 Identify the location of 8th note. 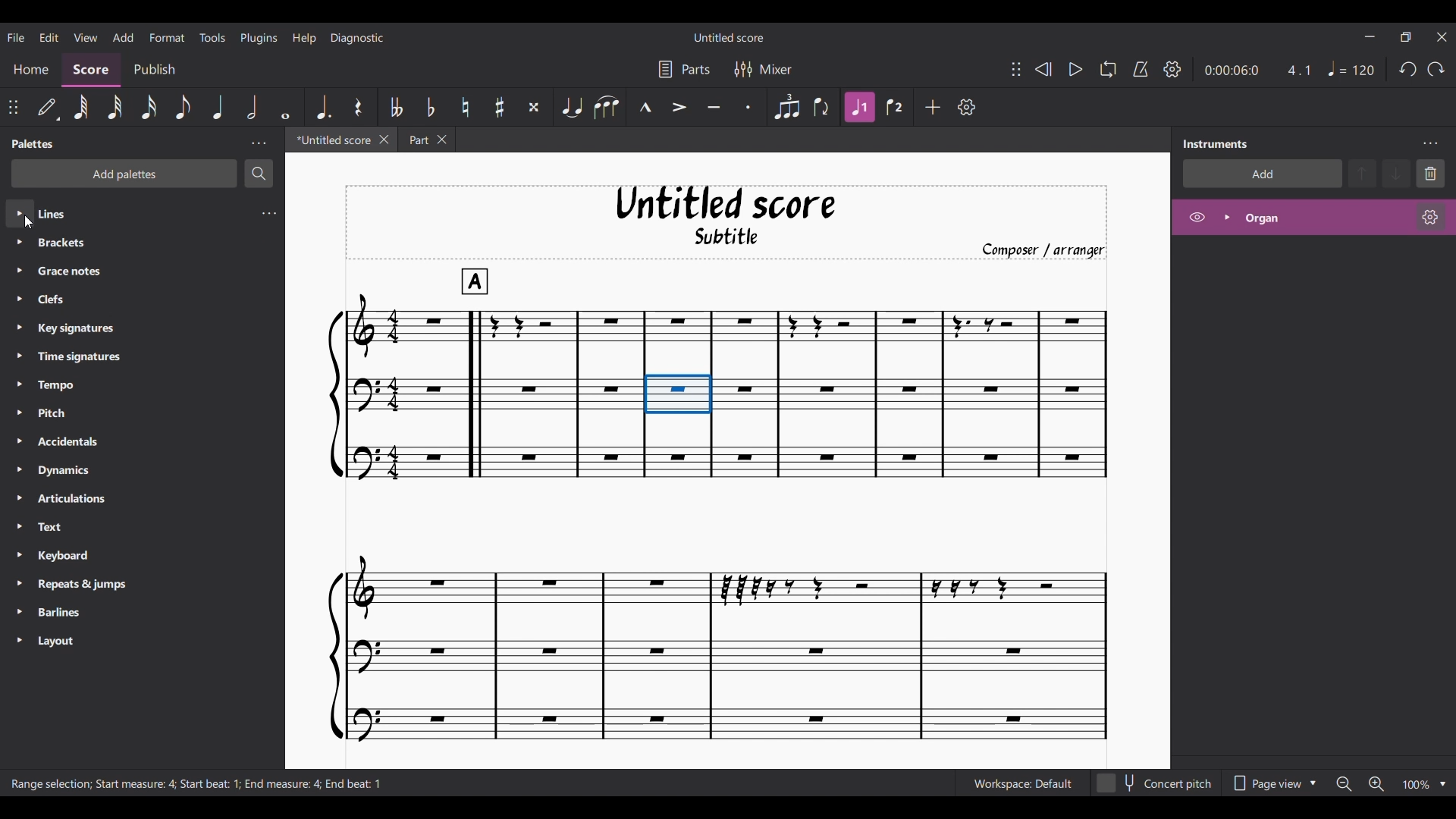
(182, 107).